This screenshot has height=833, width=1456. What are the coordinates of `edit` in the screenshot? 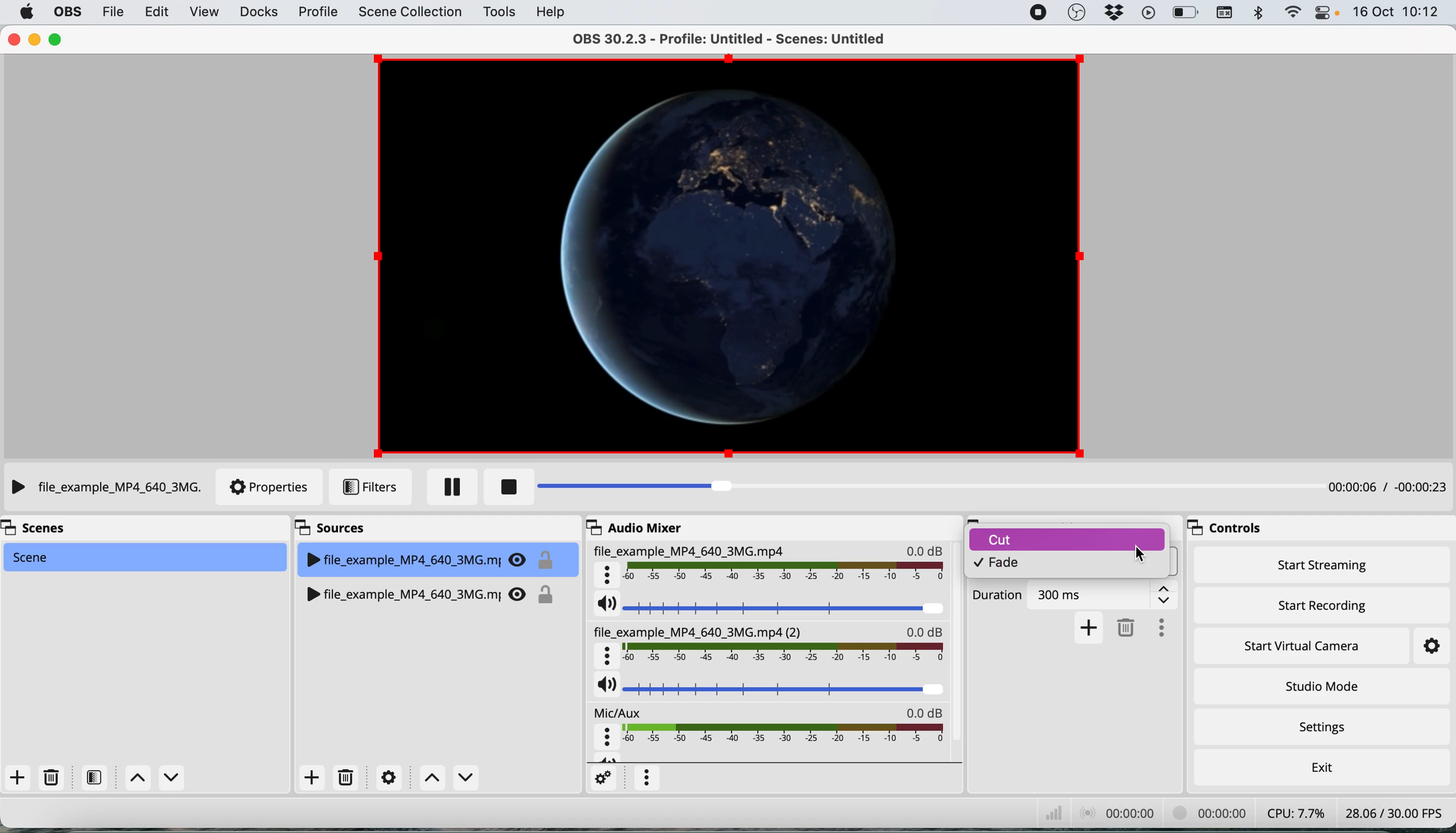 It's located at (158, 11).